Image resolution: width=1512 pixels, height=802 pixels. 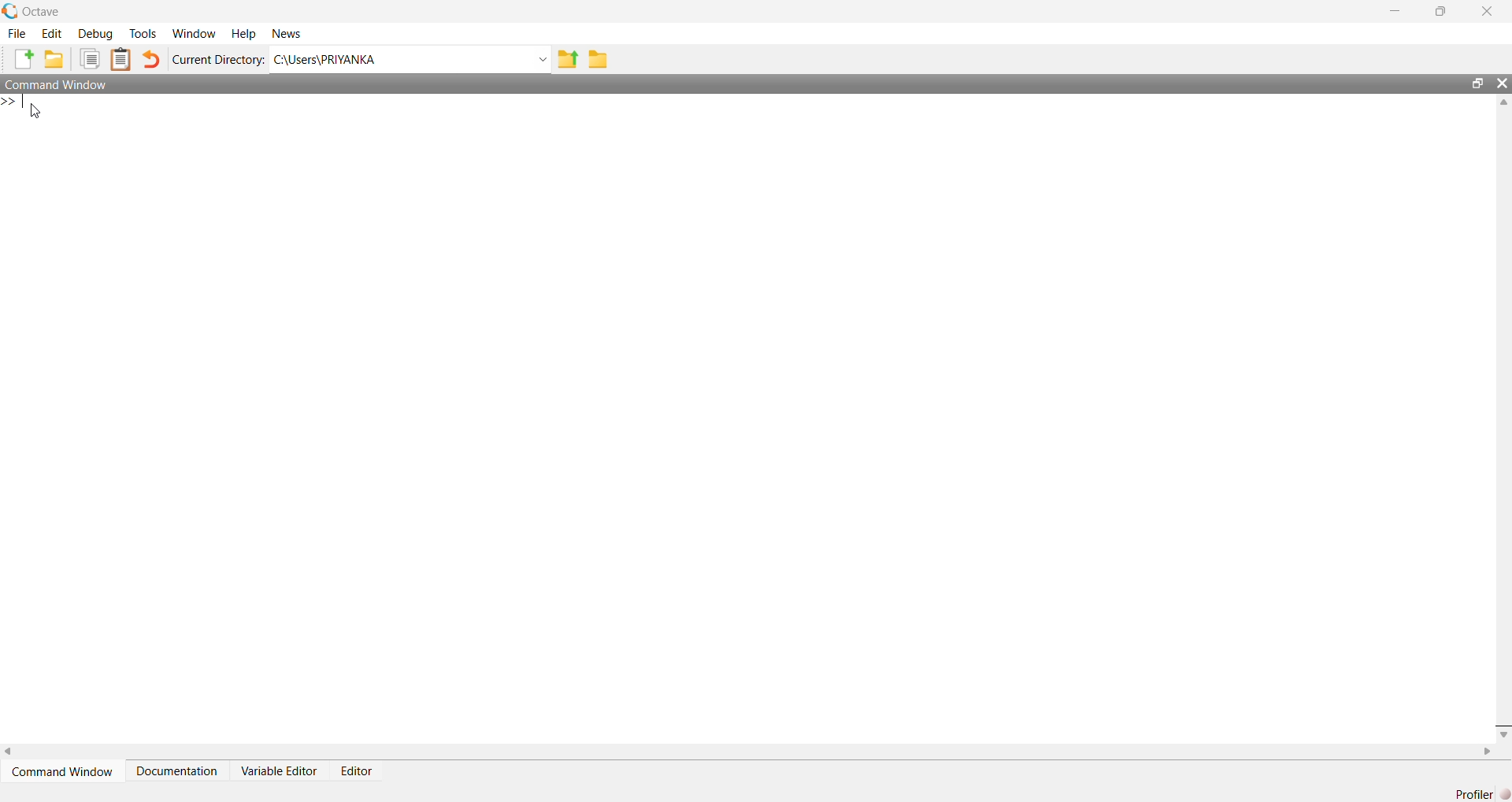 I want to click on typing indicator, so click(x=24, y=101).